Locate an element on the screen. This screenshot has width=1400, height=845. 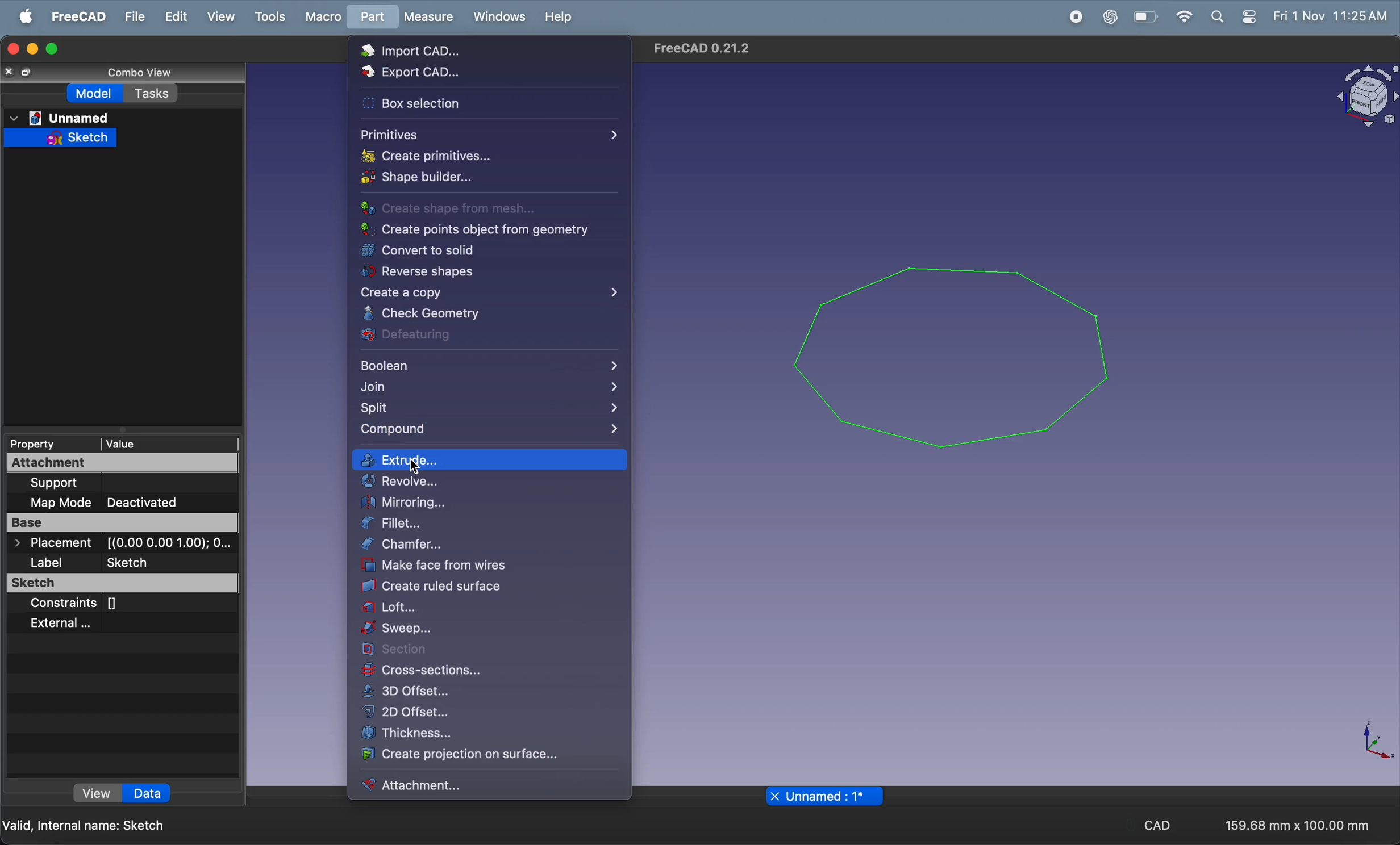
attachment is located at coordinates (459, 785).